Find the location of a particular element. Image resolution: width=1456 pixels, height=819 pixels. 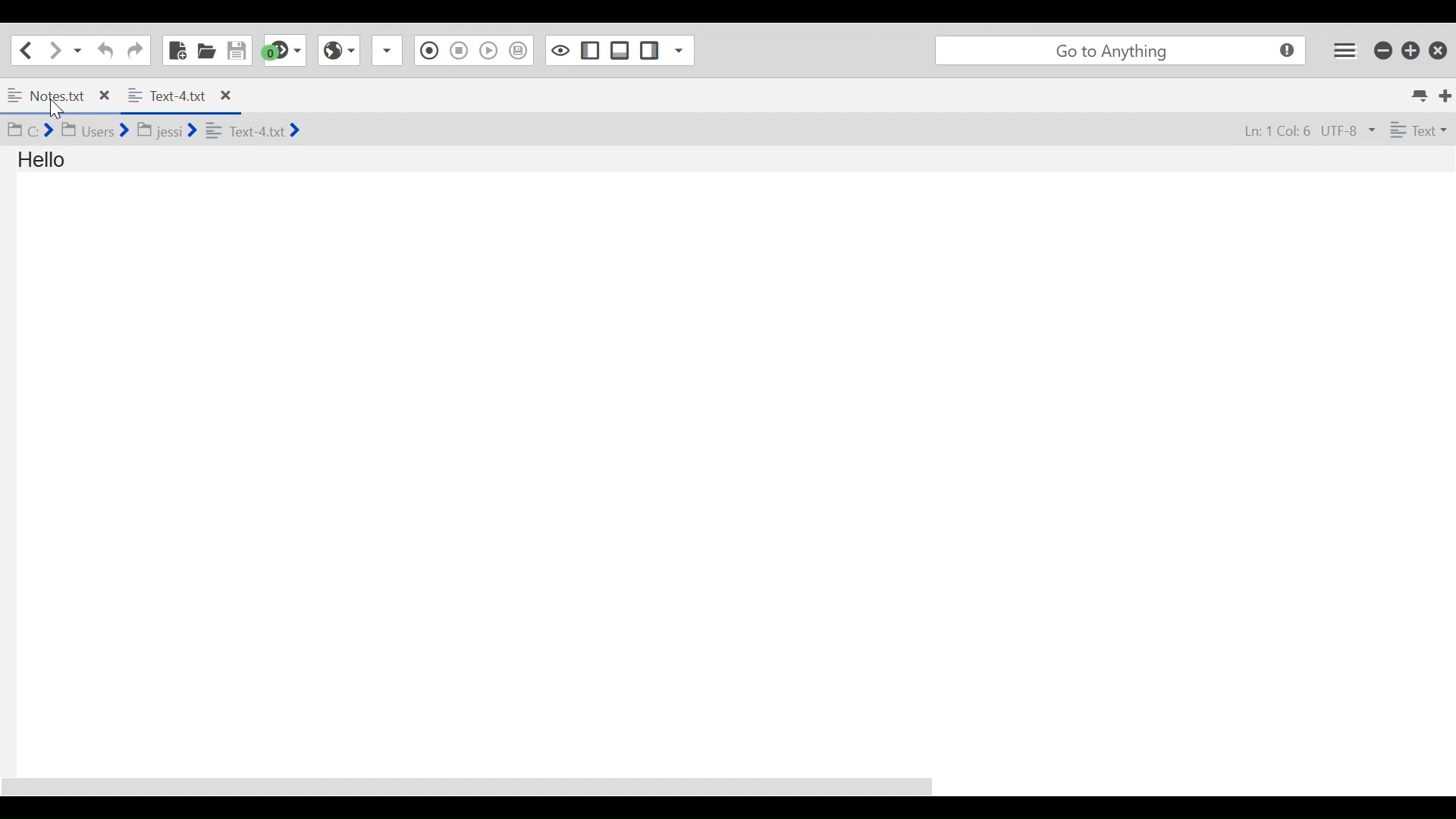

View in Browser is located at coordinates (340, 51).